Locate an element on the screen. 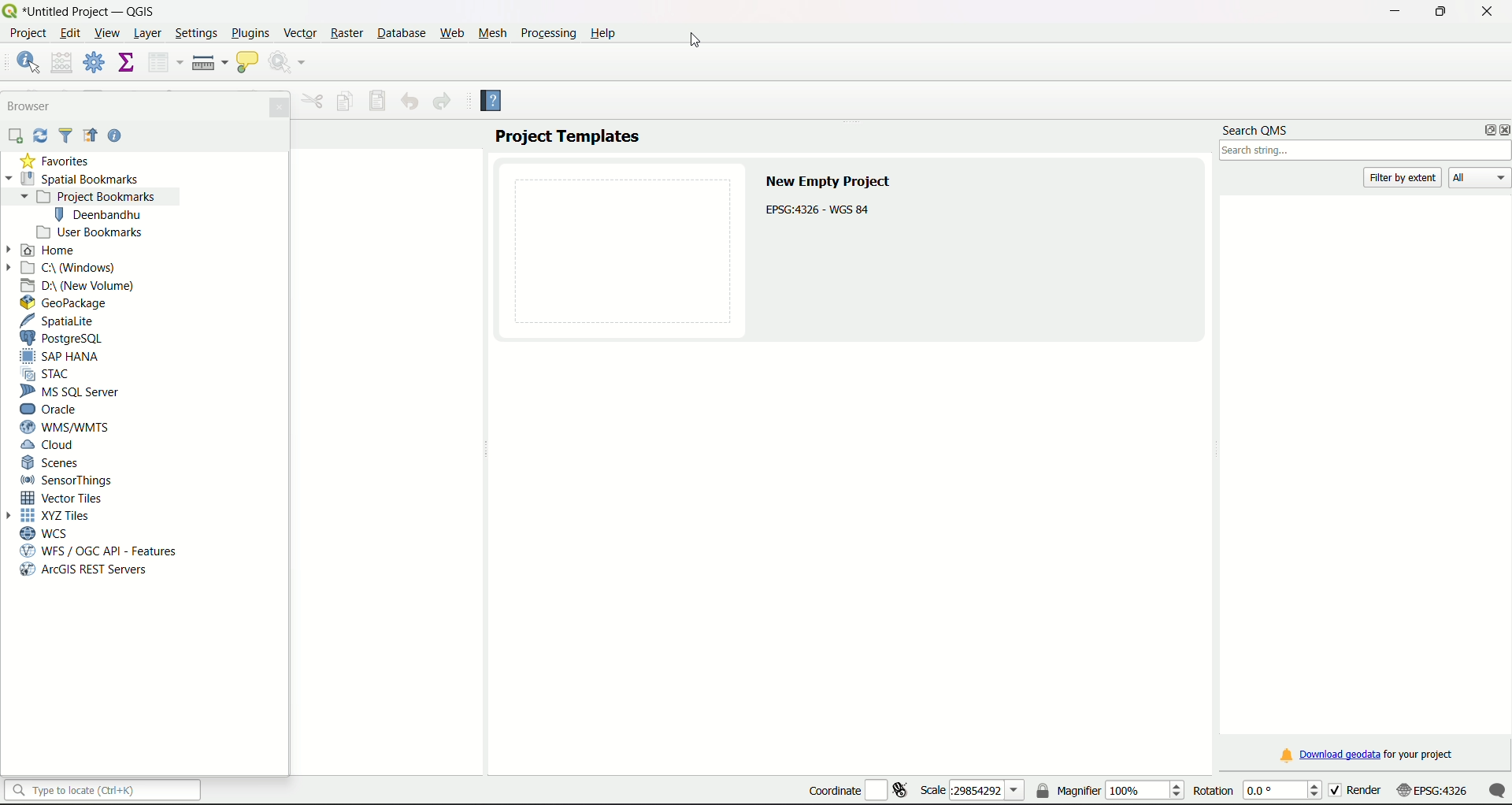 The image size is (1512, 805). C Drive   is located at coordinates (78, 268).